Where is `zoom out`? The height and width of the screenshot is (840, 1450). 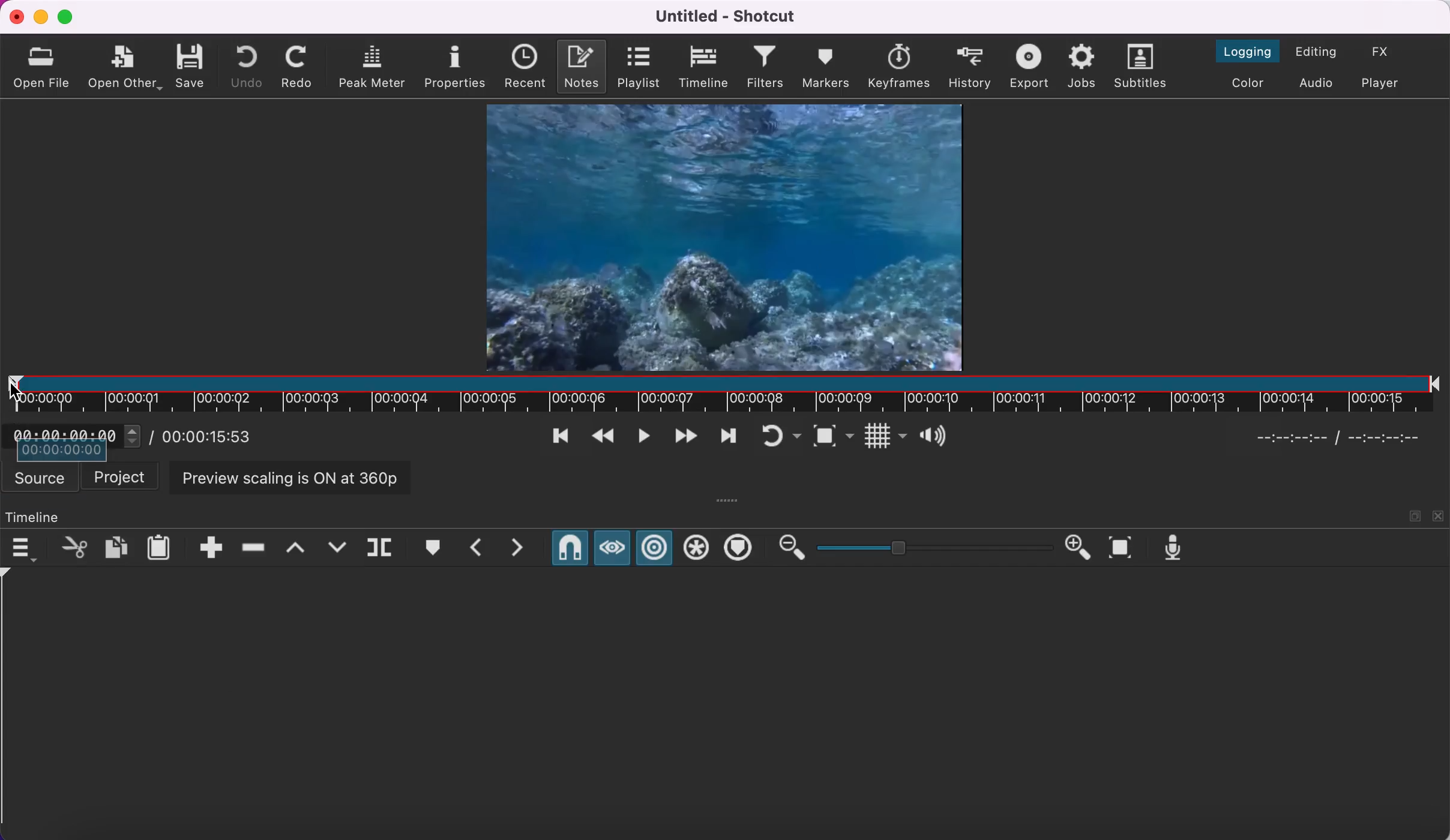
zoom out is located at coordinates (790, 548).